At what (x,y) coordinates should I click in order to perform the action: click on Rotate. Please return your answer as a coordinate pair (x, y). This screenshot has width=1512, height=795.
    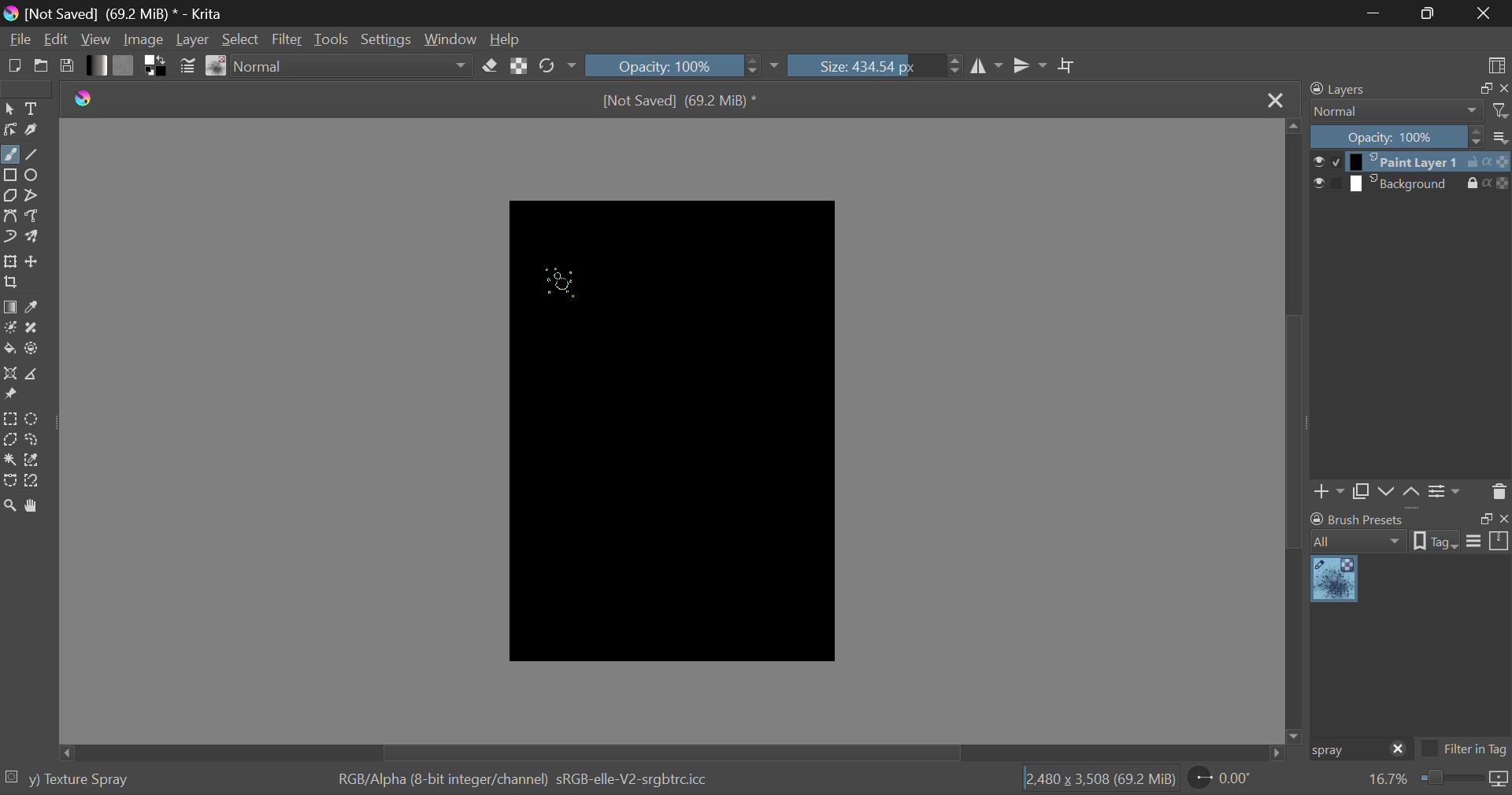
    Looking at the image, I should click on (559, 66).